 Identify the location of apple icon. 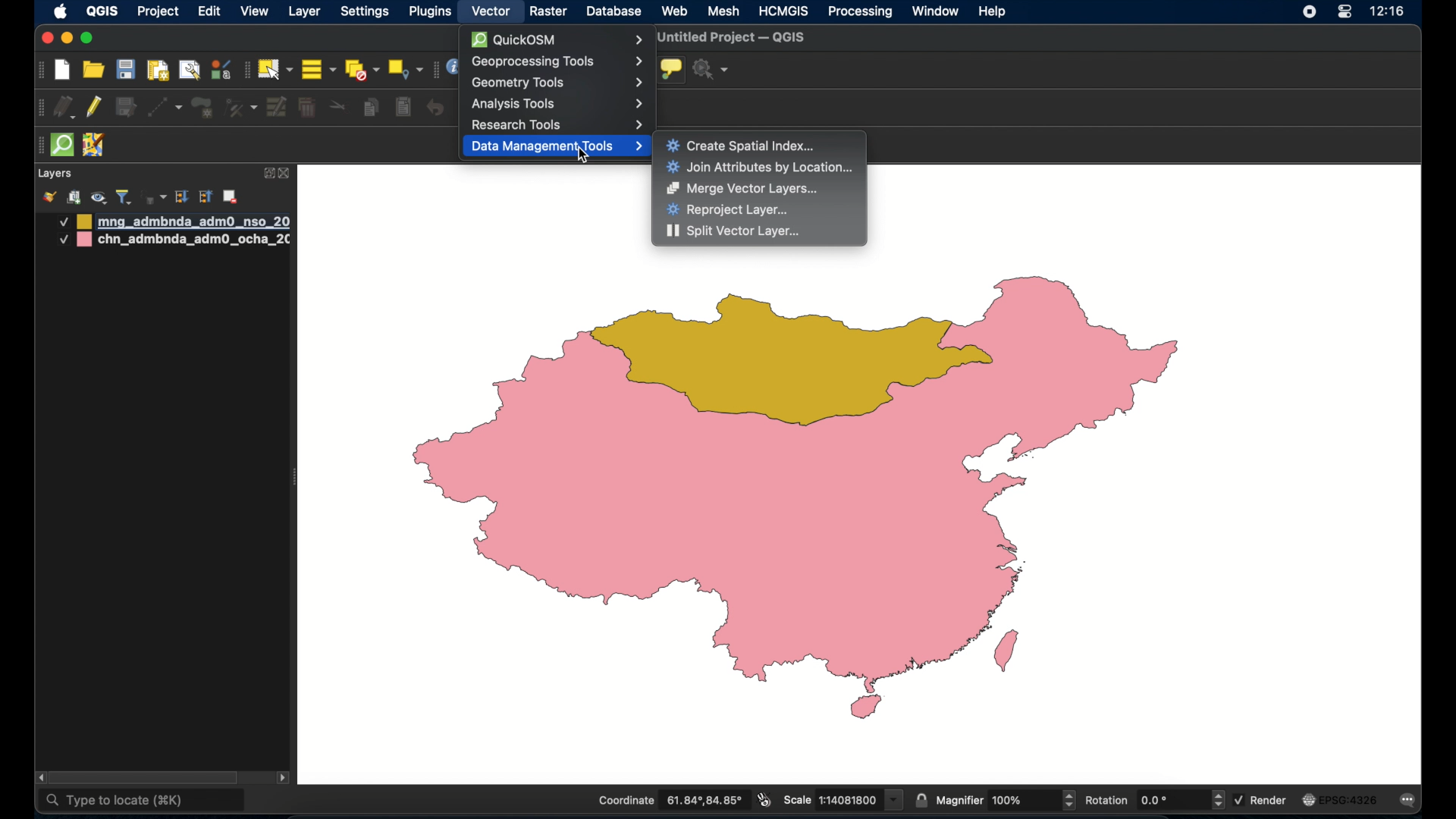
(61, 11).